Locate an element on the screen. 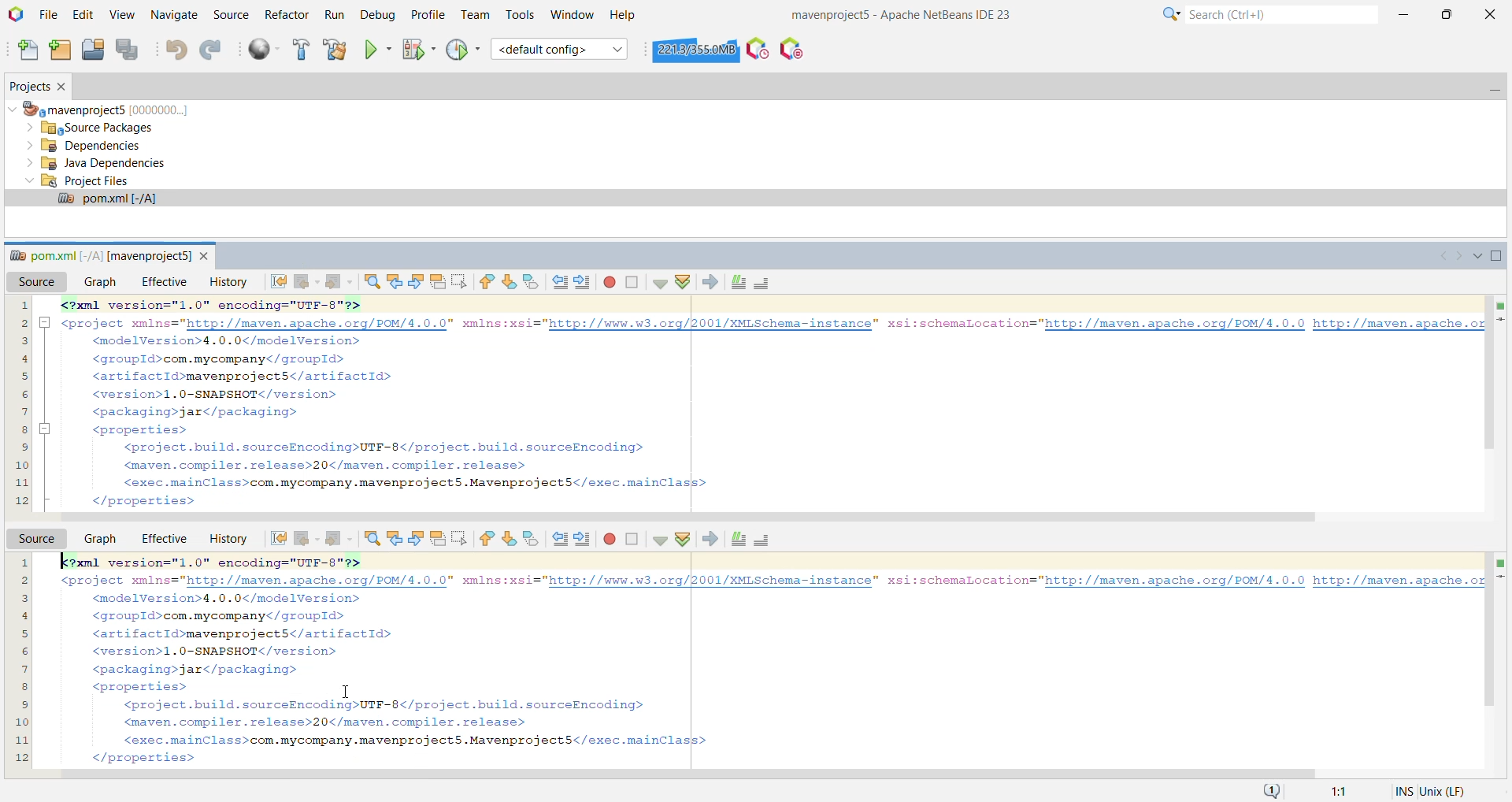  Java Dependencies is located at coordinates (96, 163).